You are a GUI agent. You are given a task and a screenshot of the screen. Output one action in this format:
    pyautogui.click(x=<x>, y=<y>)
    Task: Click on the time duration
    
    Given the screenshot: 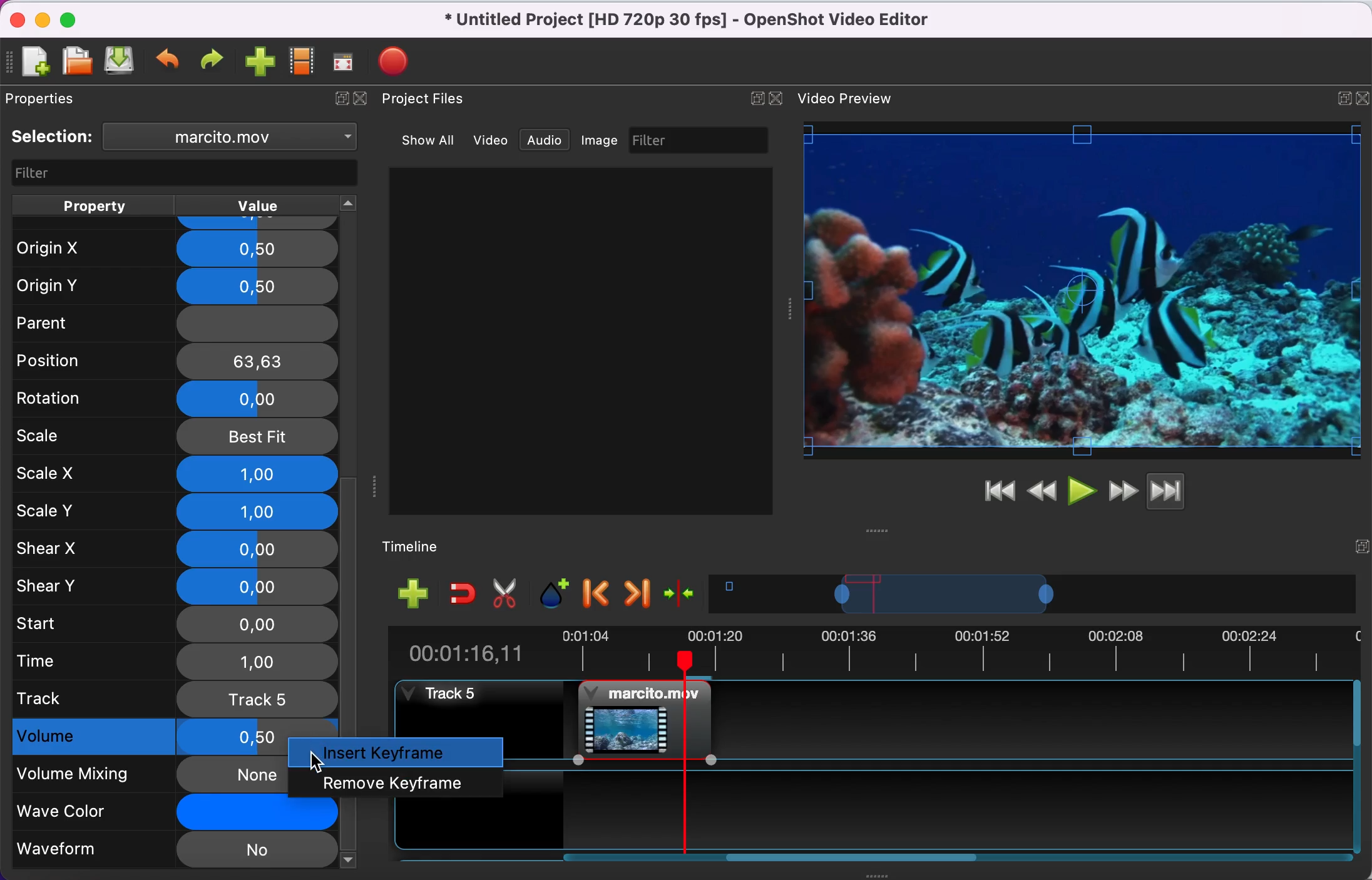 What is the action you would take?
    pyautogui.click(x=871, y=652)
    